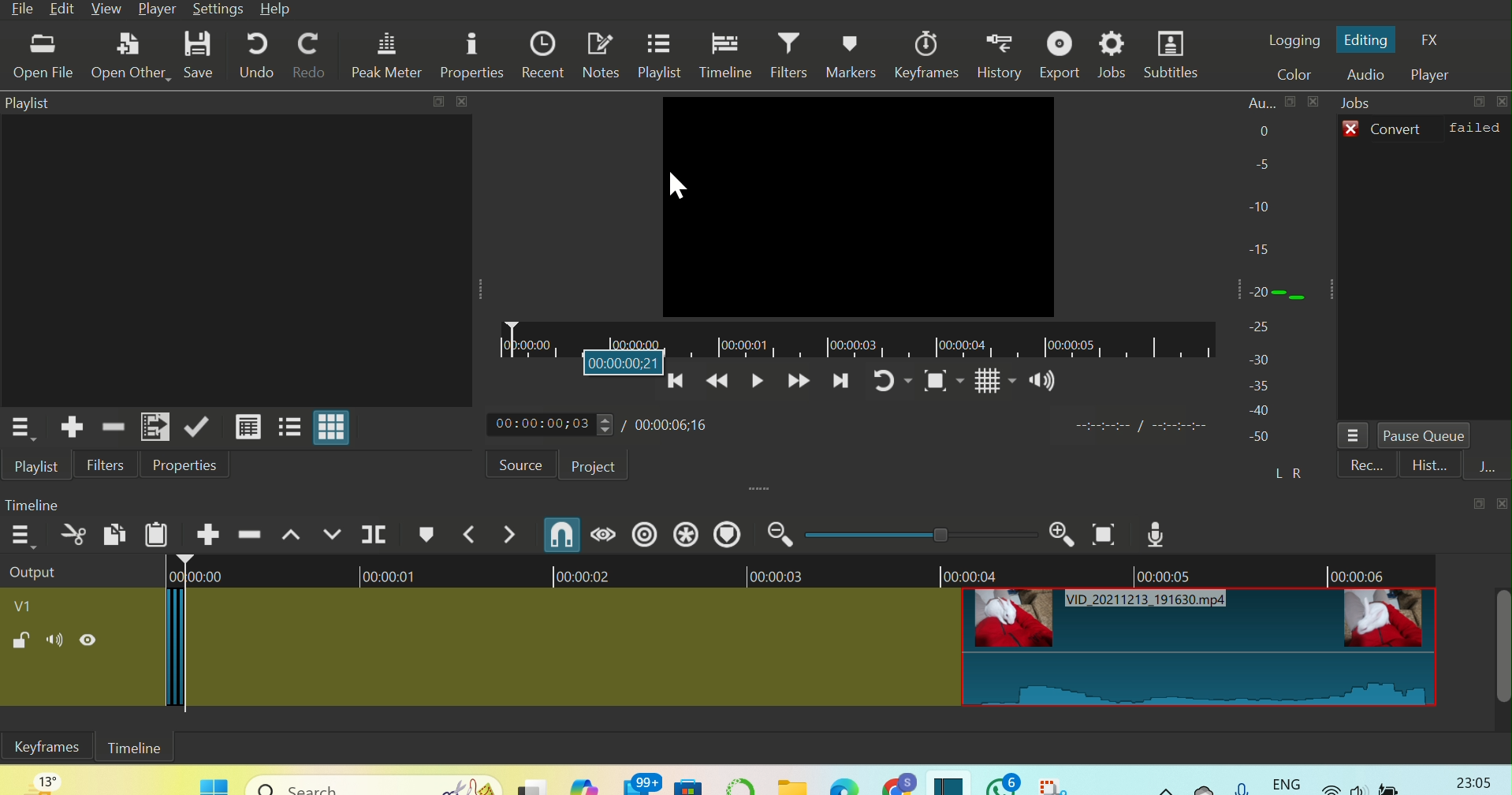  What do you see at coordinates (779, 535) in the screenshot?
I see `Zoom out` at bounding box center [779, 535].